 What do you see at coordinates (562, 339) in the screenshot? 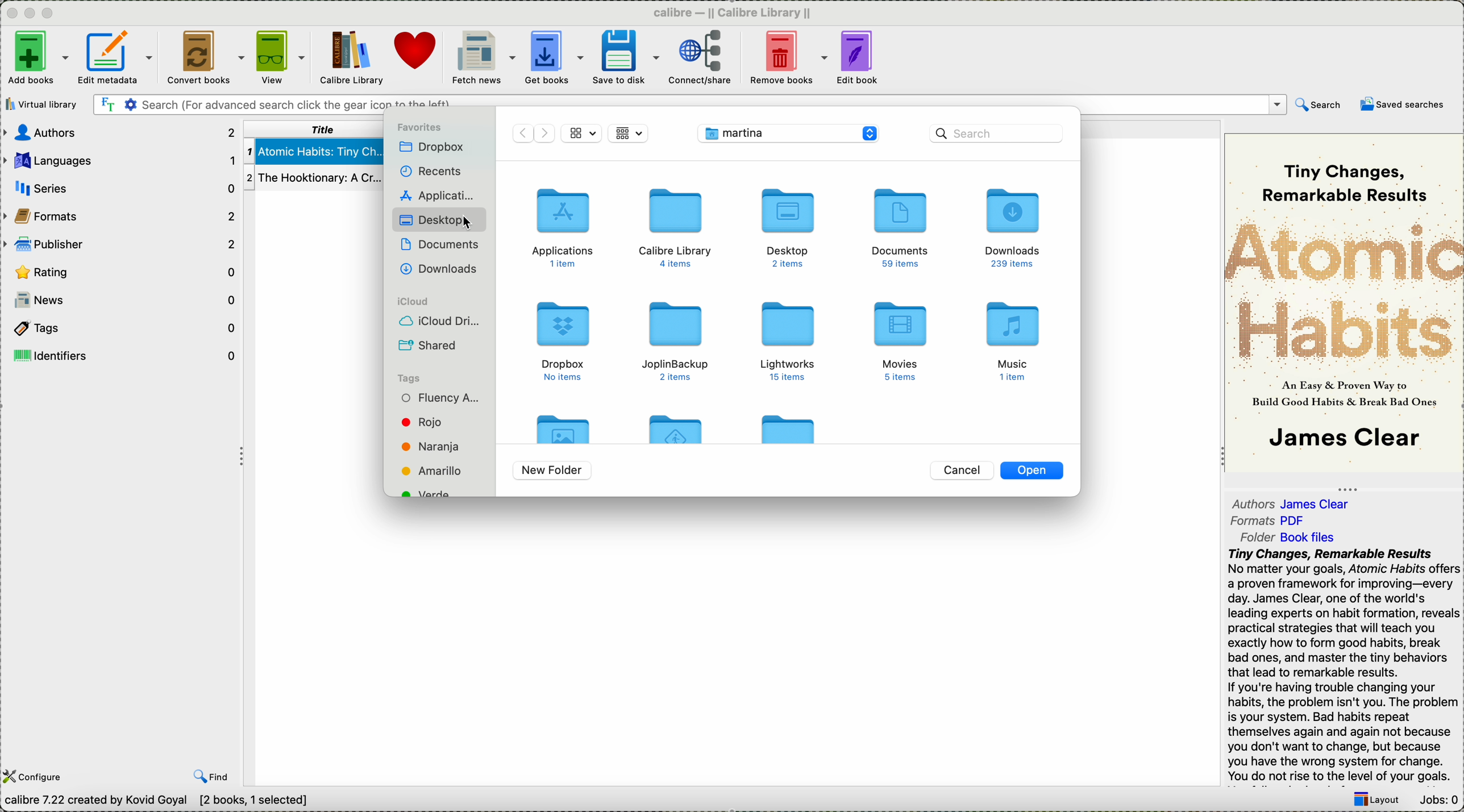
I see `dropbox` at bounding box center [562, 339].